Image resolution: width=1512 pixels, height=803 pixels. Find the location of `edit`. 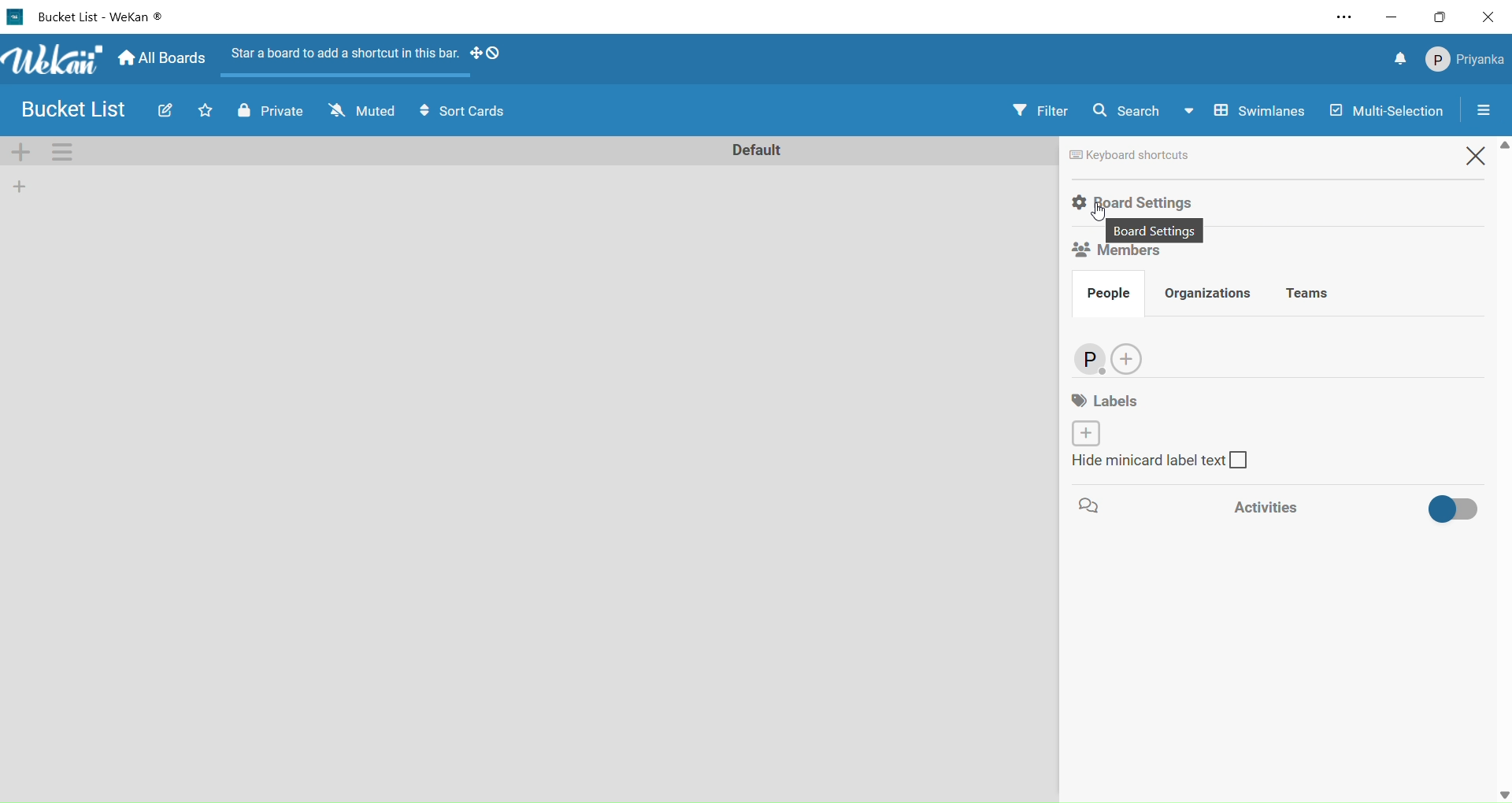

edit is located at coordinates (165, 110).